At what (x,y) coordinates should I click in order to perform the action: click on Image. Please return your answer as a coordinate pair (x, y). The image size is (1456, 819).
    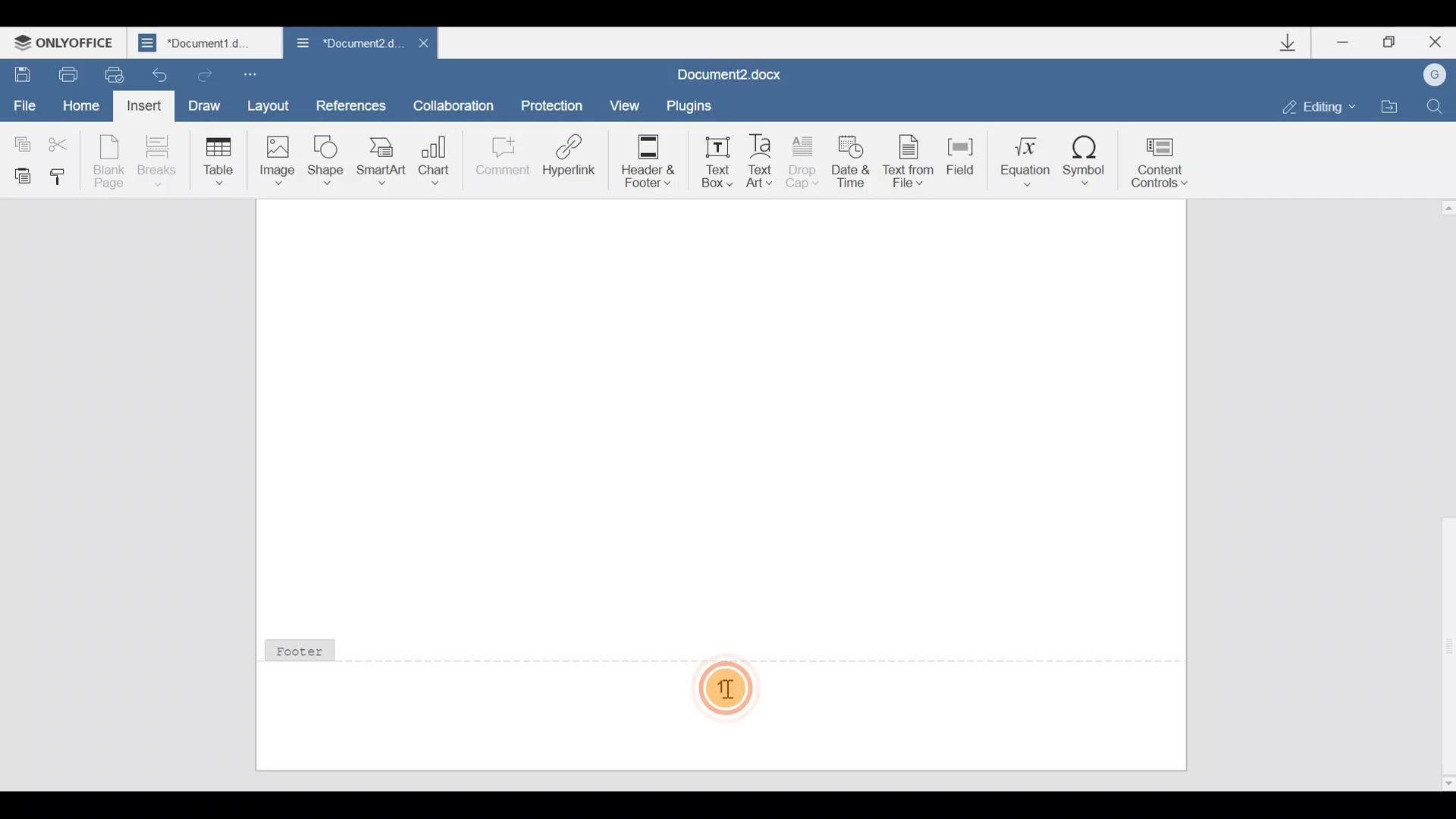
    Looking at the image, I should click on (277, 160).